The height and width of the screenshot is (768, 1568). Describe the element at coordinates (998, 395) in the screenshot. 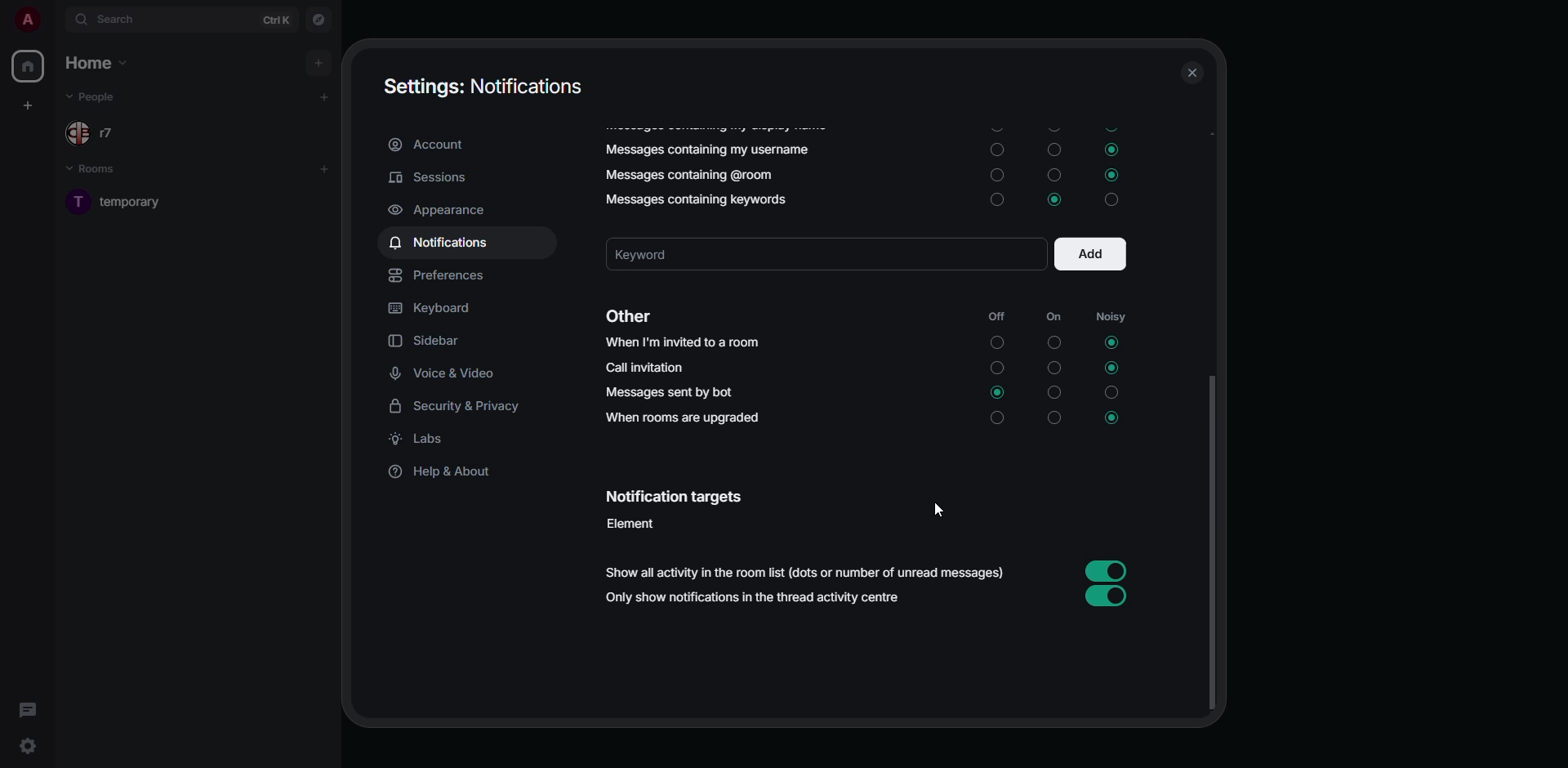

I see `selected` at that location.